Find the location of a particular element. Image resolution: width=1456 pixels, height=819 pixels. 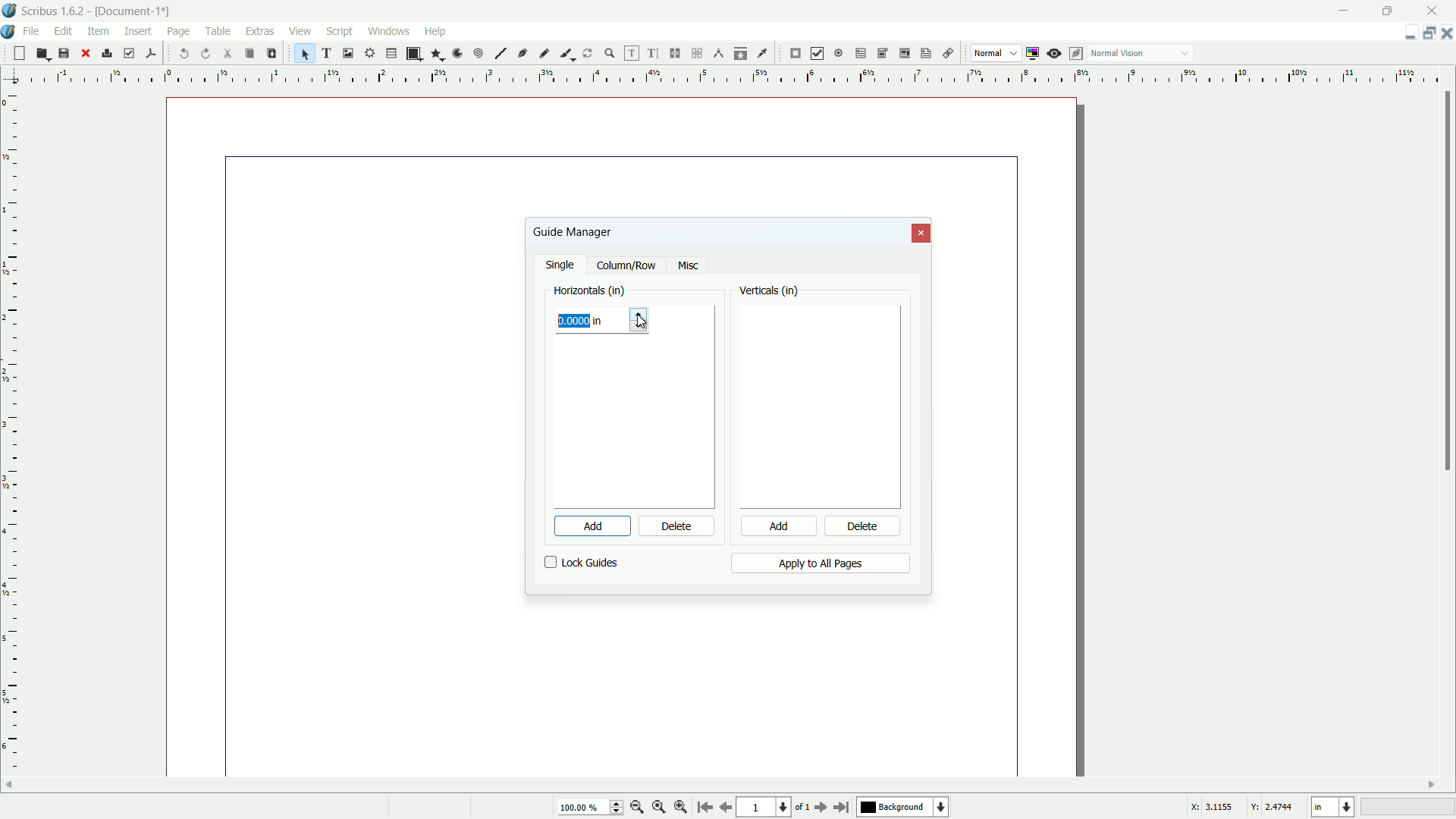

horizontal is located at coordinates (590, 291).